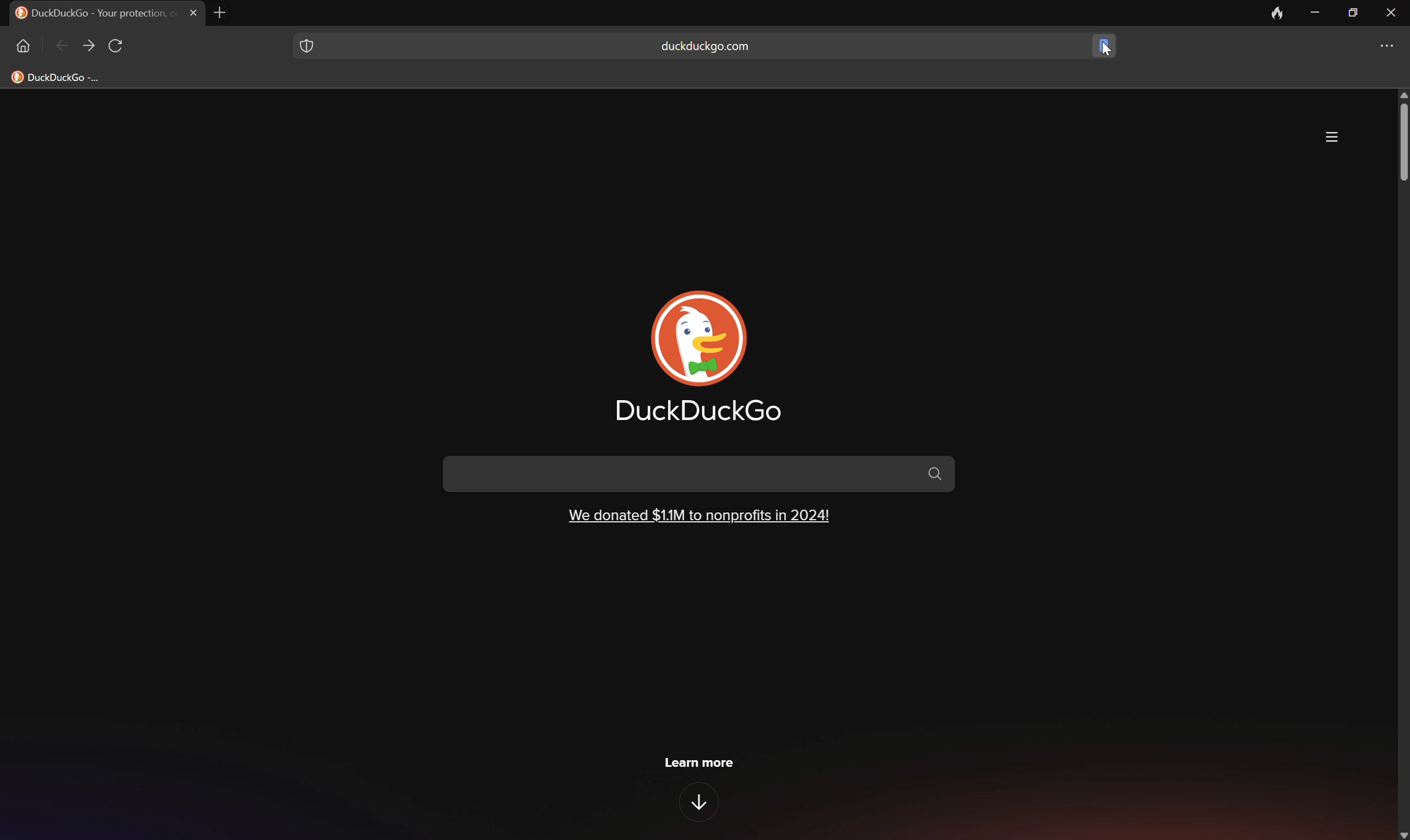 The height and width of the screenshot is (840, 1410). Describe the element at coordinates (1392, 11) in the screenshot. I see `Close` at that location.